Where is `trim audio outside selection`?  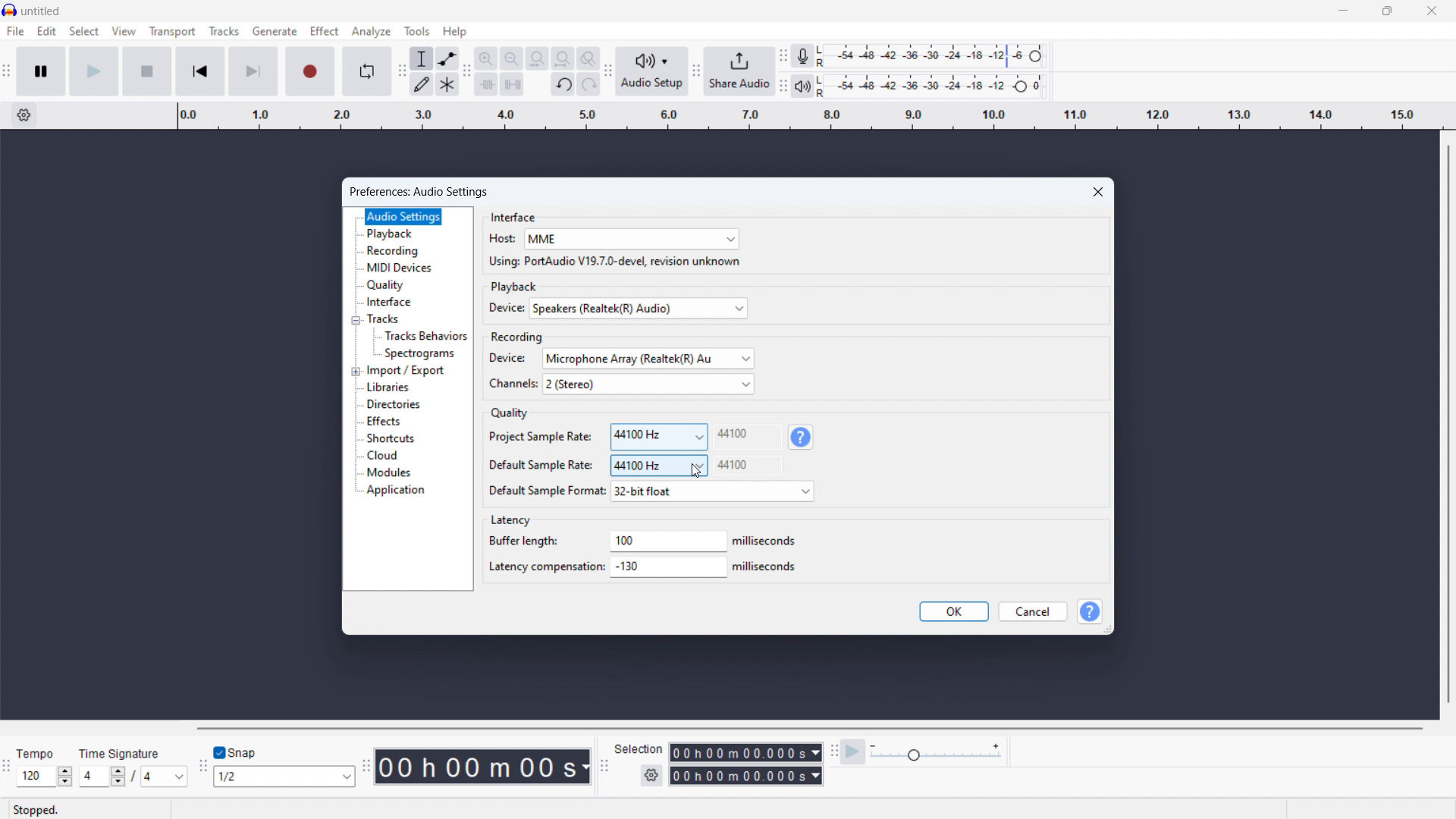 trim audio outside selection is located at coordinates (487, 85).